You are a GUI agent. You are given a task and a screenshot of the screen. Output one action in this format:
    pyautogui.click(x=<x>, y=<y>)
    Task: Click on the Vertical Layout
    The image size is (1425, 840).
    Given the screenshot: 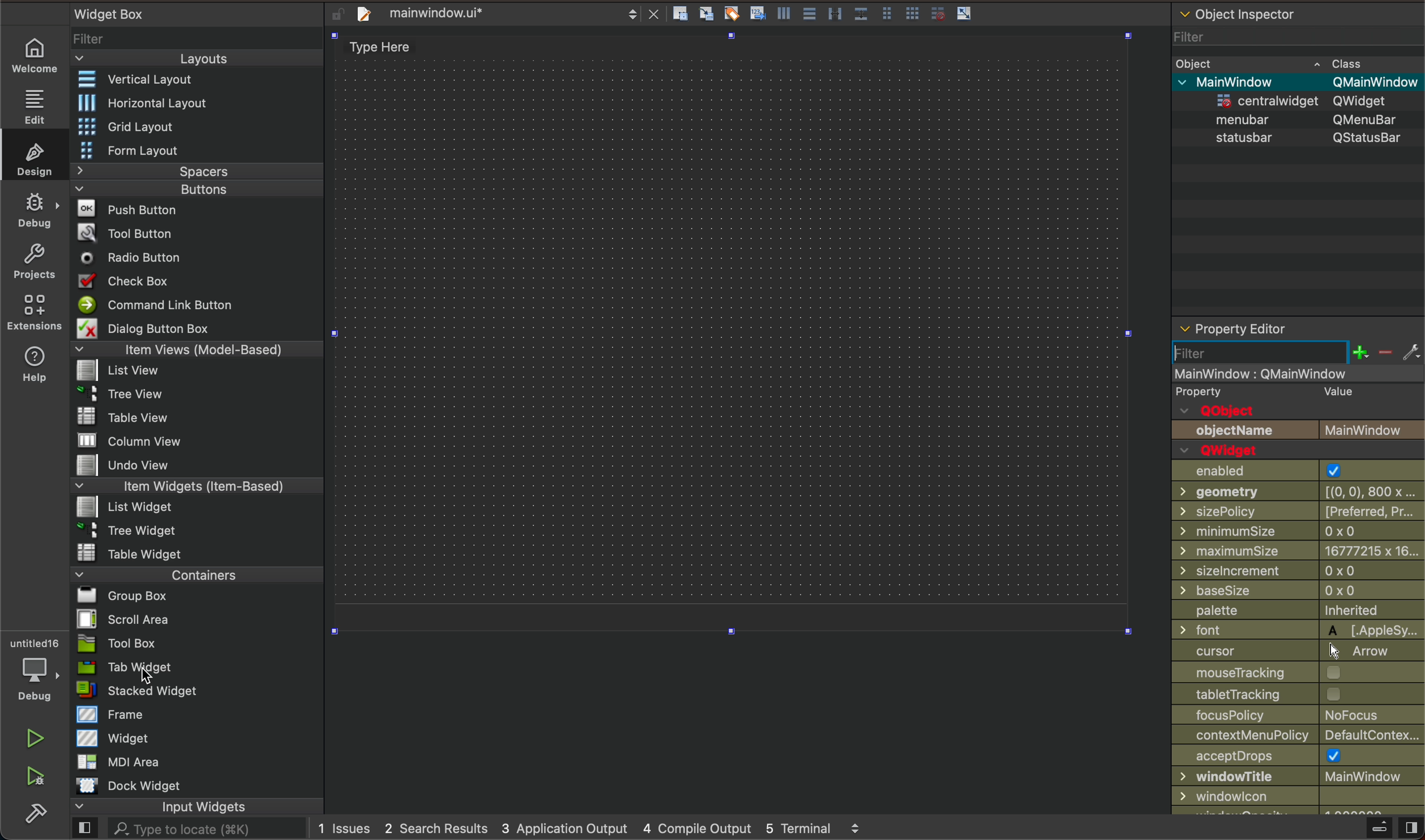 What is the action you would take?
    pyautogui.click(x=132, y=78)
    